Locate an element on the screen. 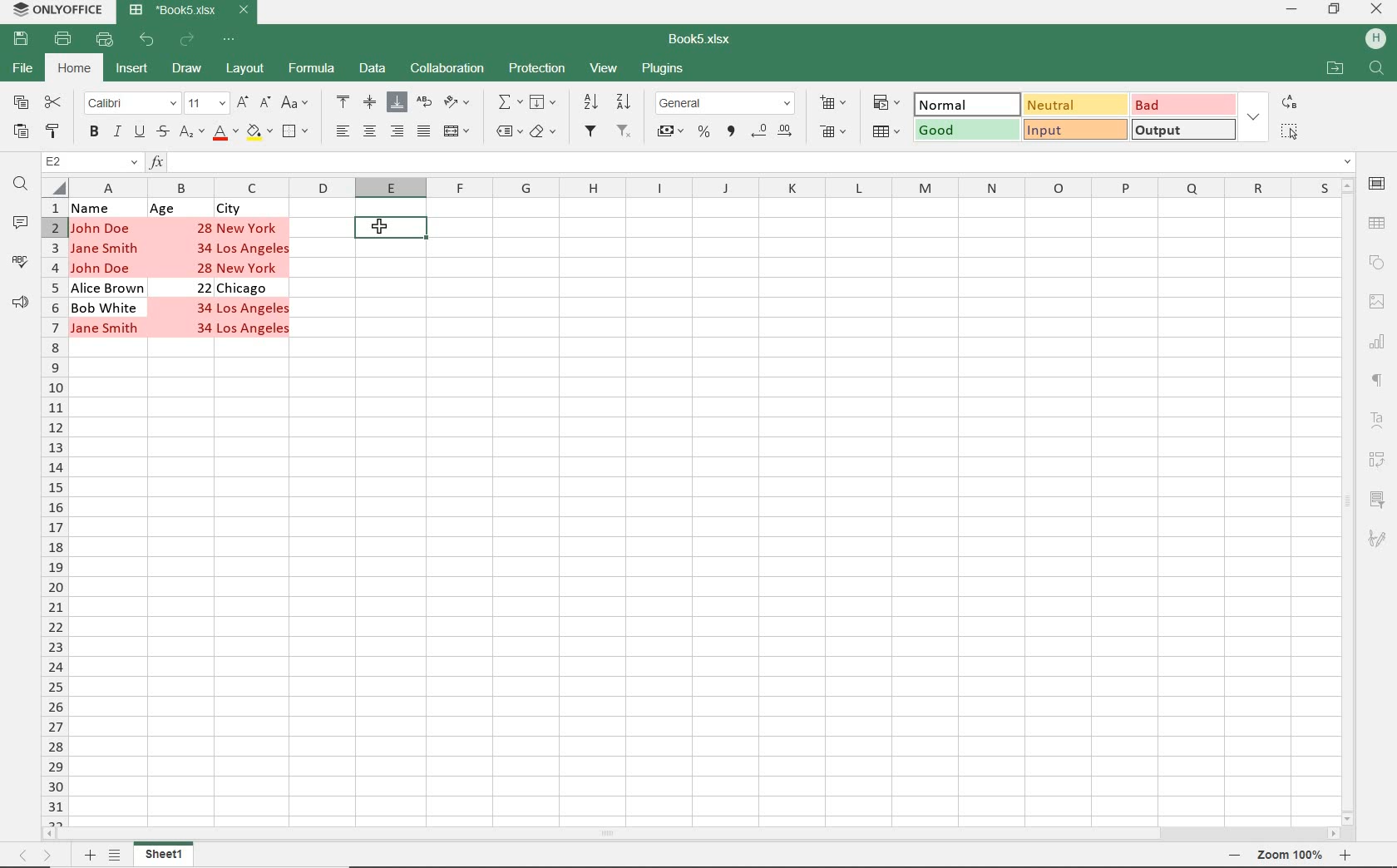 The image size is (1397, 868). Los Angeles is located at coordinates (256, 249).